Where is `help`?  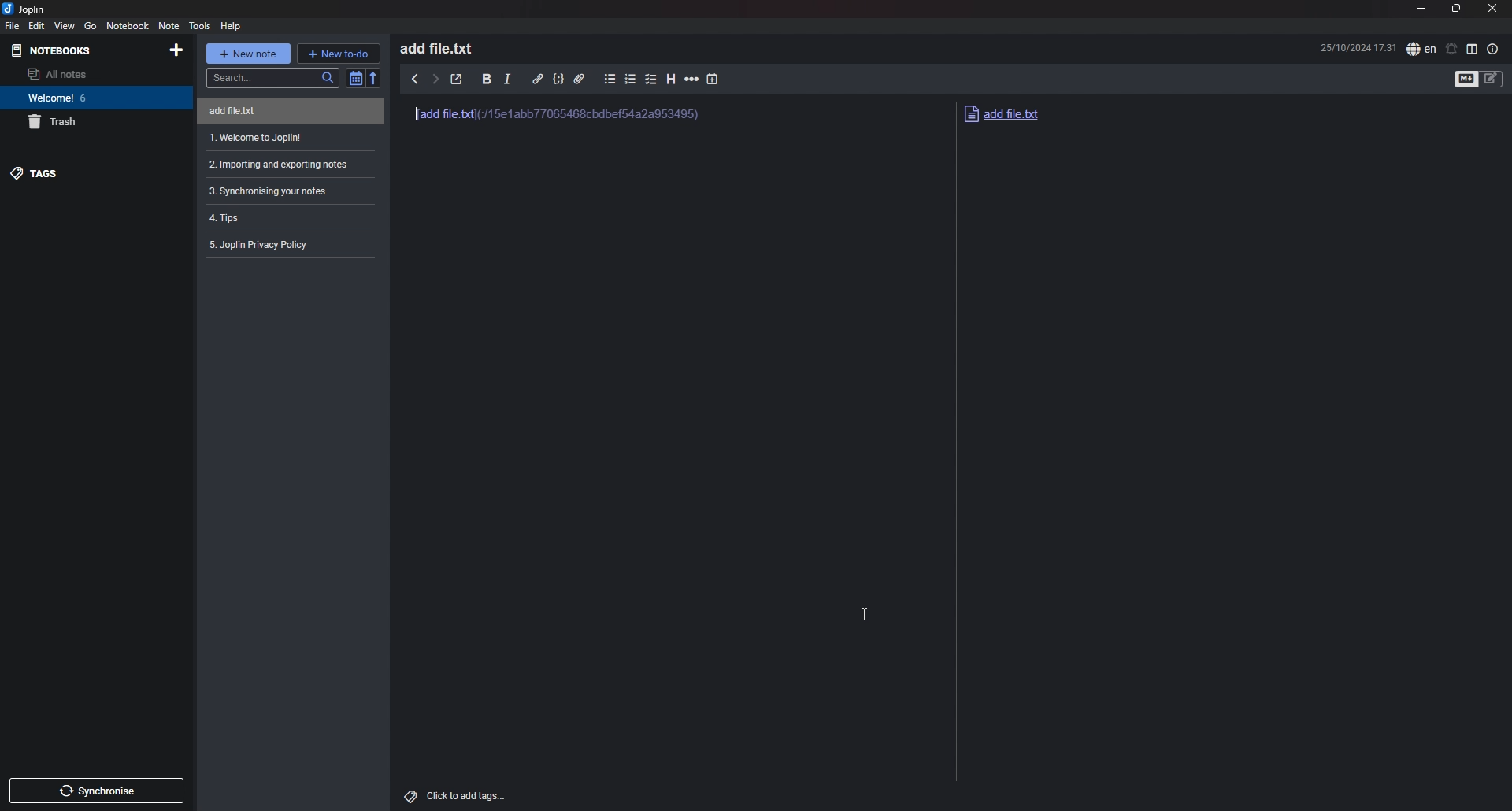
help is located at coordinates (231, 26).